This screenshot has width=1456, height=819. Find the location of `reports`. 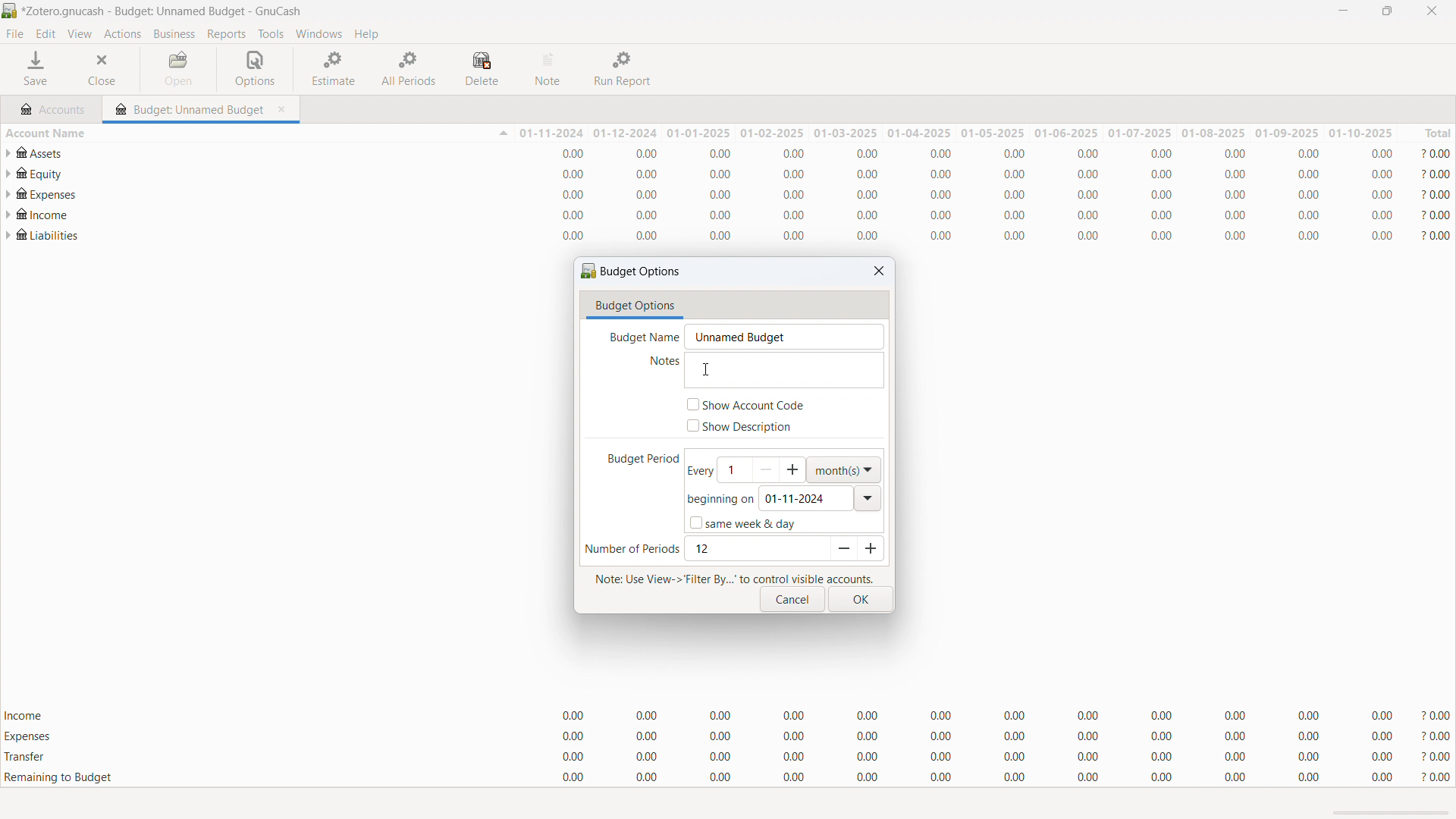

reports is located at coordinates (227, 34).